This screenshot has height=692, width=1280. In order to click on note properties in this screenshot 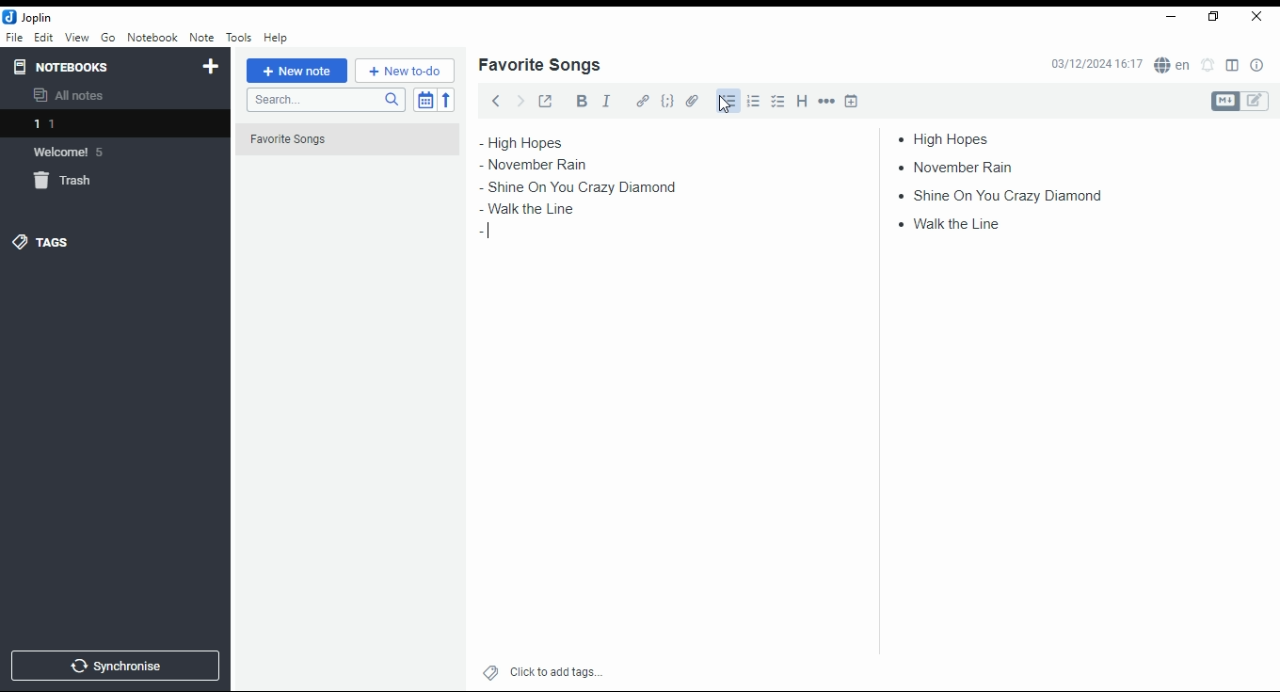, I will do `click(1258, 66)`.